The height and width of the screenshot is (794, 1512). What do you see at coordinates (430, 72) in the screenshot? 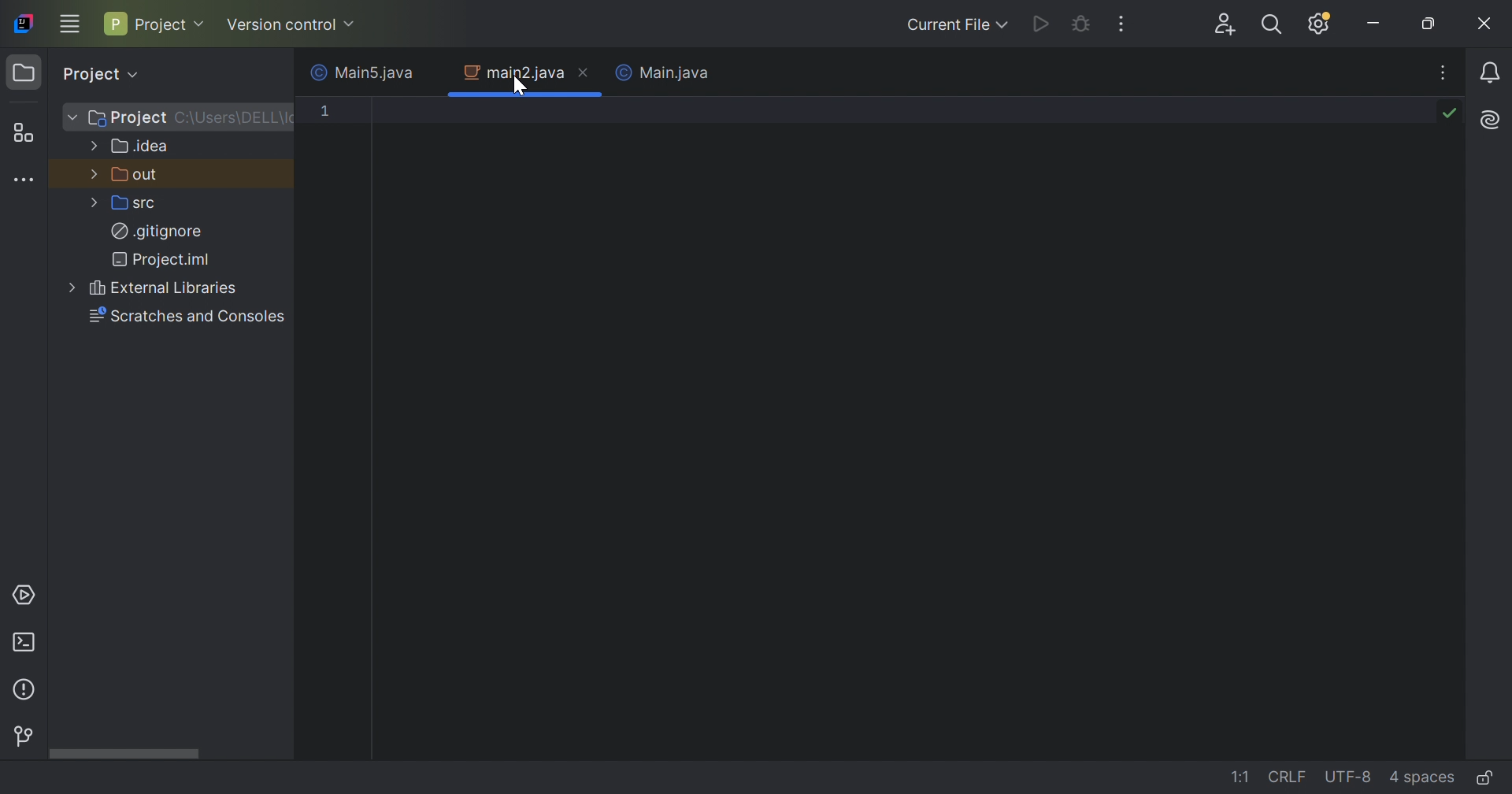
I see `Close` at bounding box center [430, 72].